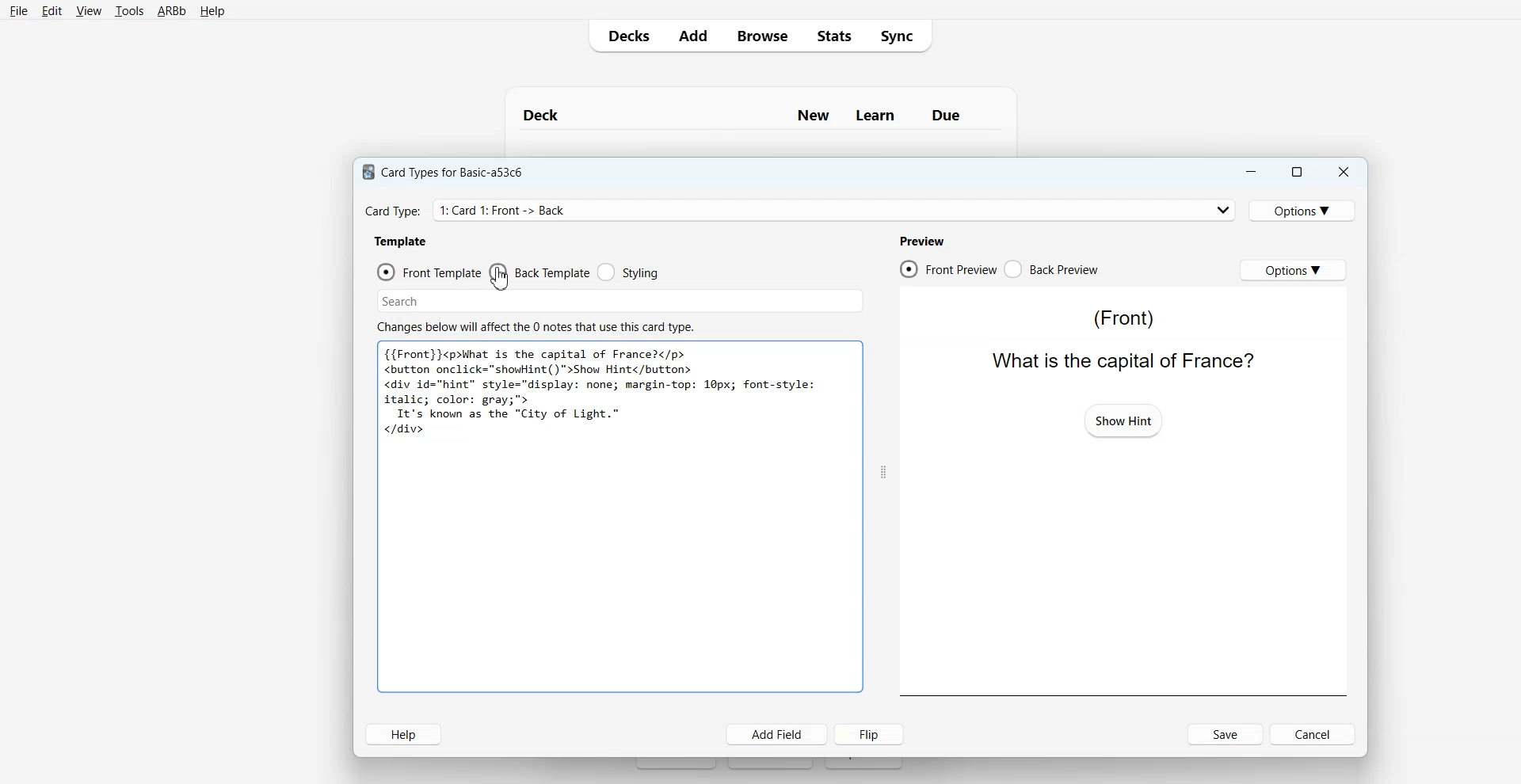 The height and width of the screenshot is (784, 1521). I want to click on Tools, so click(129, 12).